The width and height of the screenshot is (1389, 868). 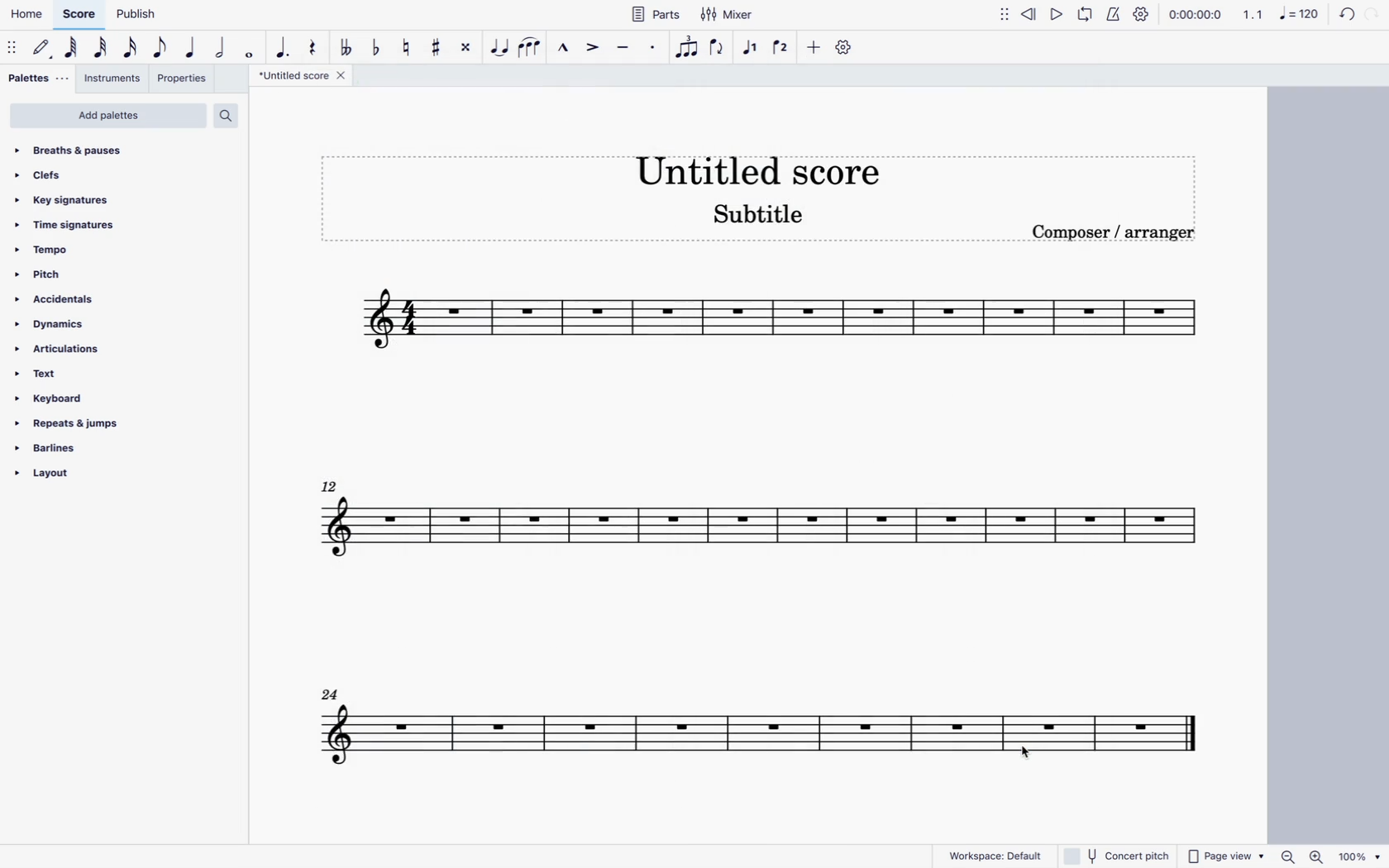 I want to click on barlines, so click(x=53, y=450).